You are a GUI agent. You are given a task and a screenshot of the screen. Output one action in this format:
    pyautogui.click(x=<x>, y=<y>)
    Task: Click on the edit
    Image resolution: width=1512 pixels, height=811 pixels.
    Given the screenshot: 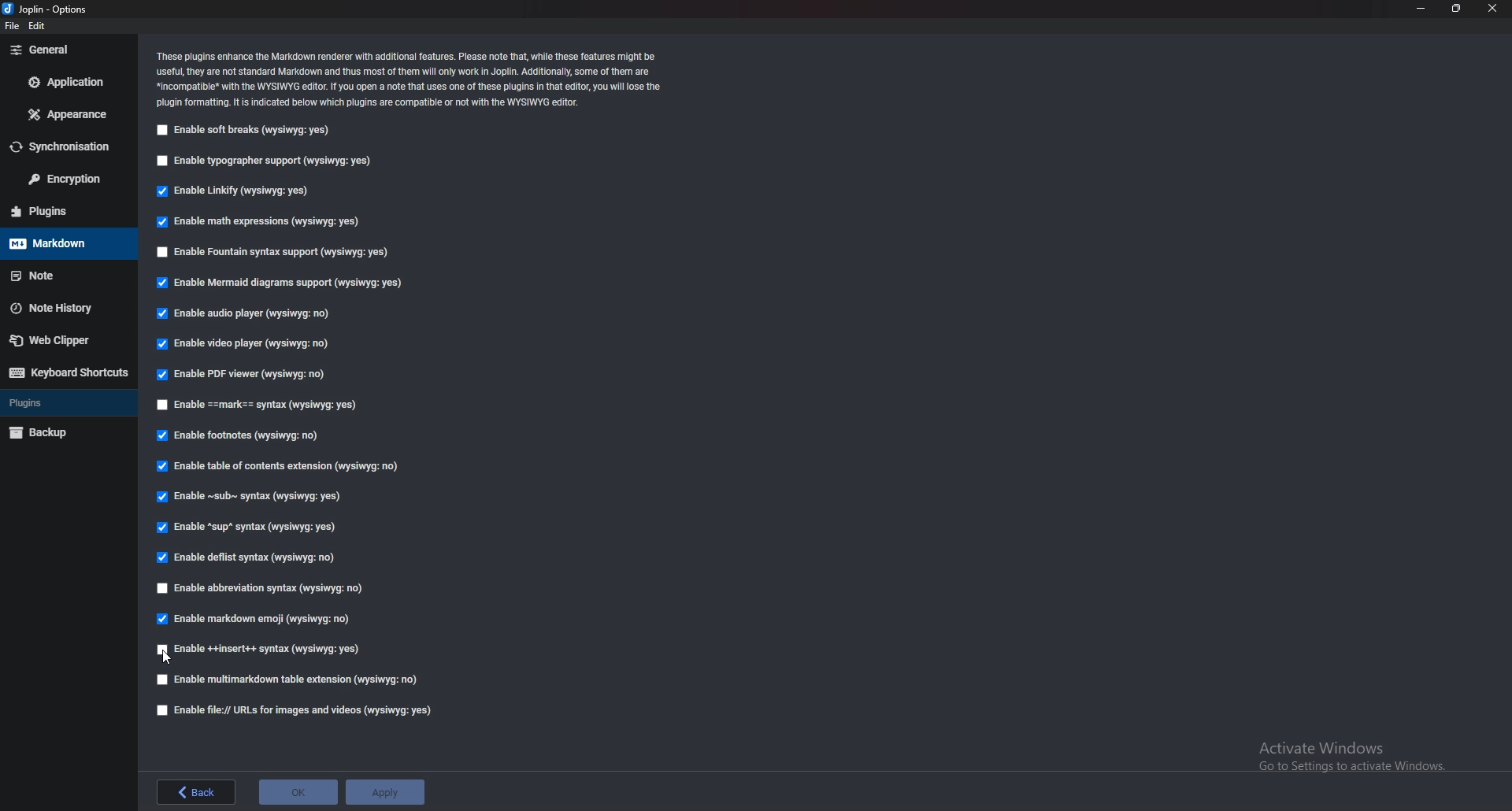 What is the action you would take?
    pyautogui.click(x=40, y=28)
    